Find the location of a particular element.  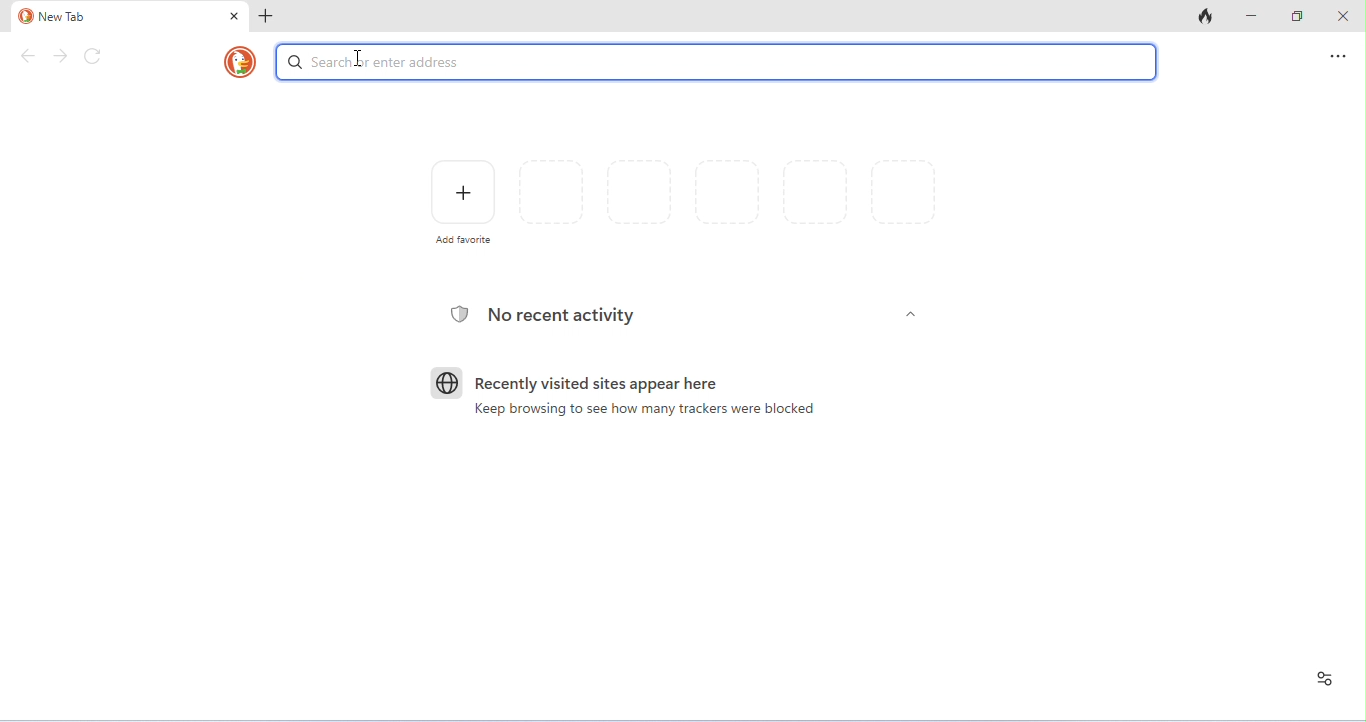

color change in search or enter address is located at coordinates (718, 60).